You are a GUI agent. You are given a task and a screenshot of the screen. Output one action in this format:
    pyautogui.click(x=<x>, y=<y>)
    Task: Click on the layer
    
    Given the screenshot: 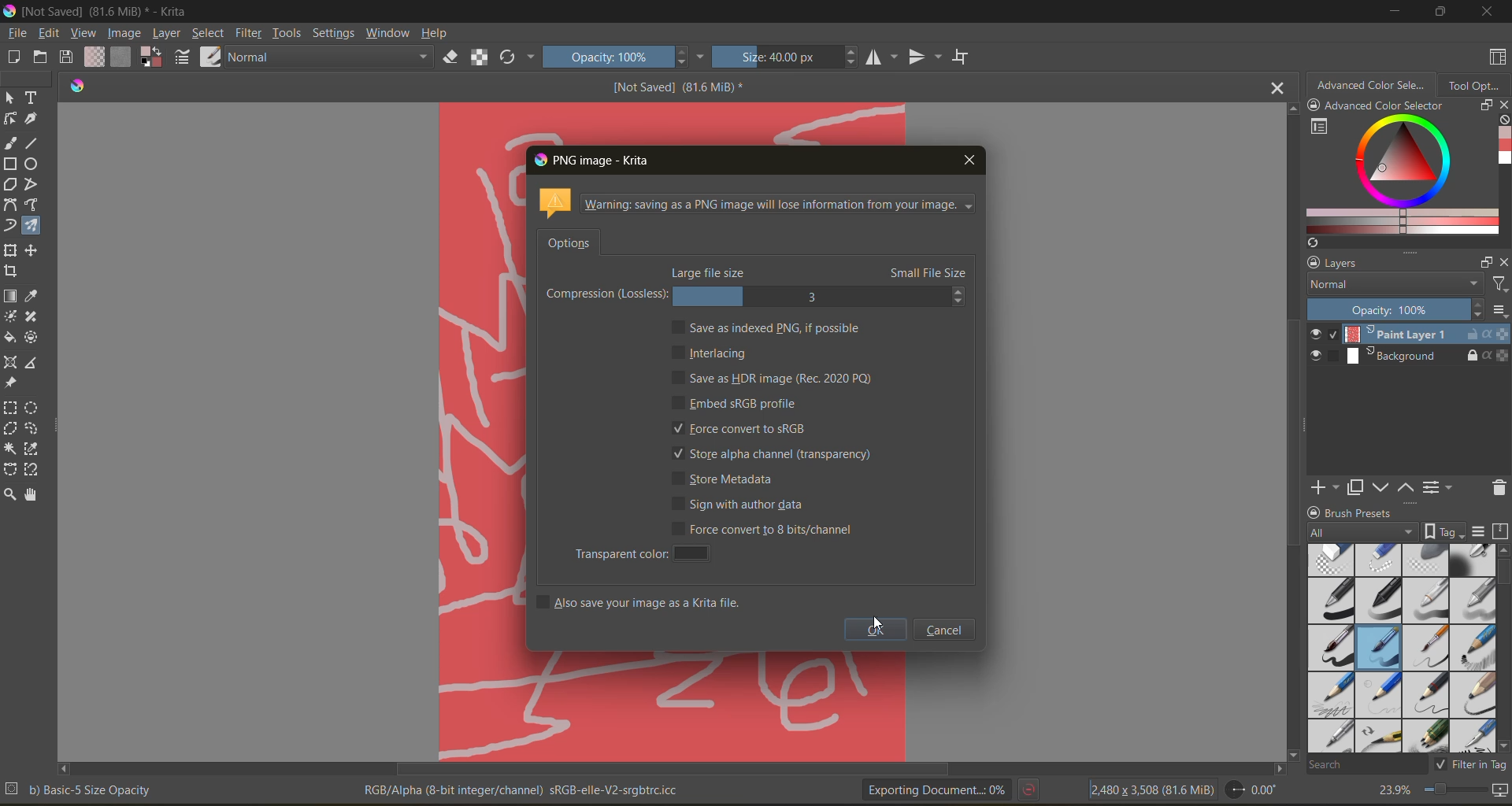 What is the action you would take?
    pyautogui.click(x=1409, y=335)
    